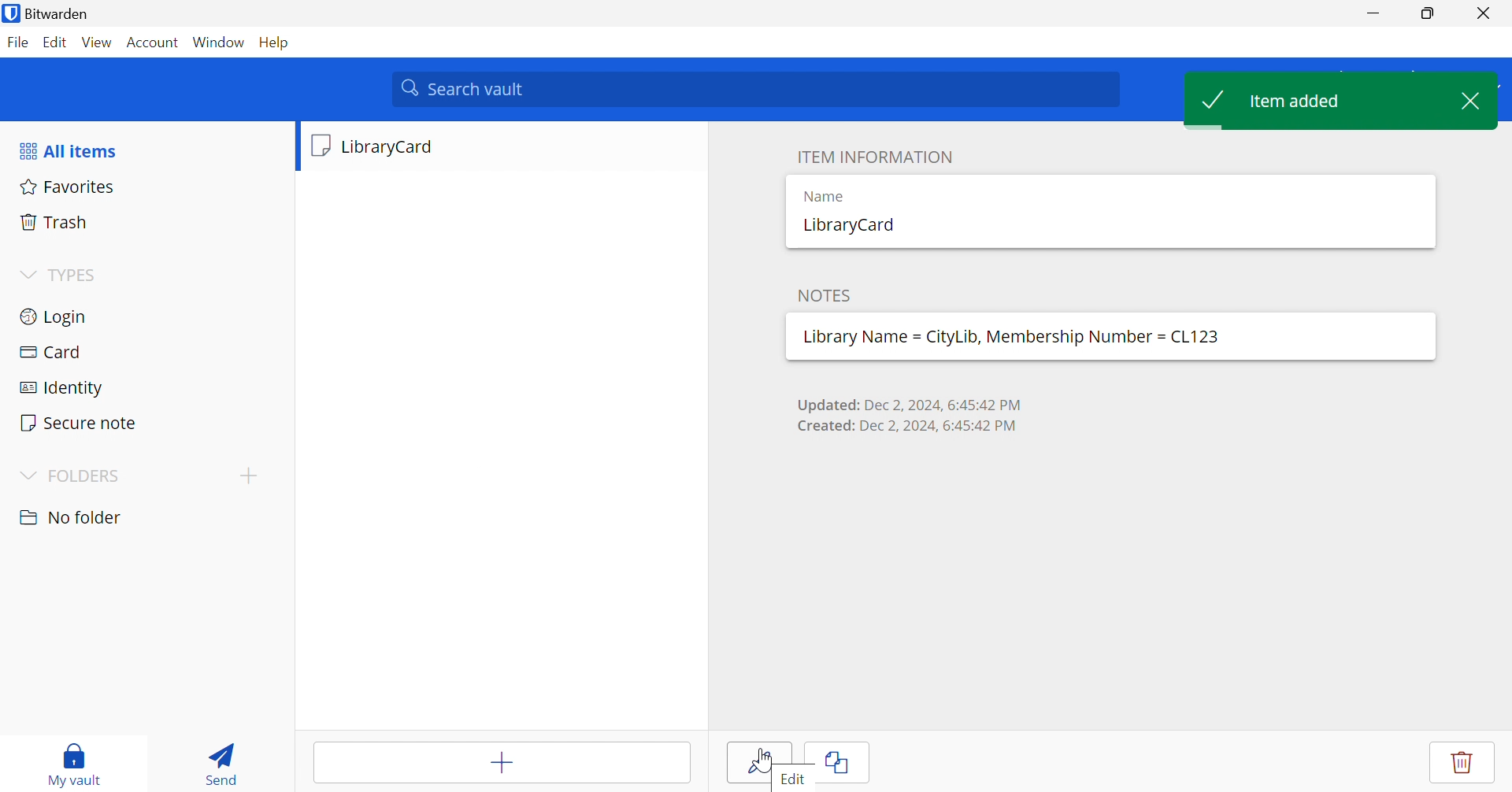  I want to click on My vault, so click(76, 764).